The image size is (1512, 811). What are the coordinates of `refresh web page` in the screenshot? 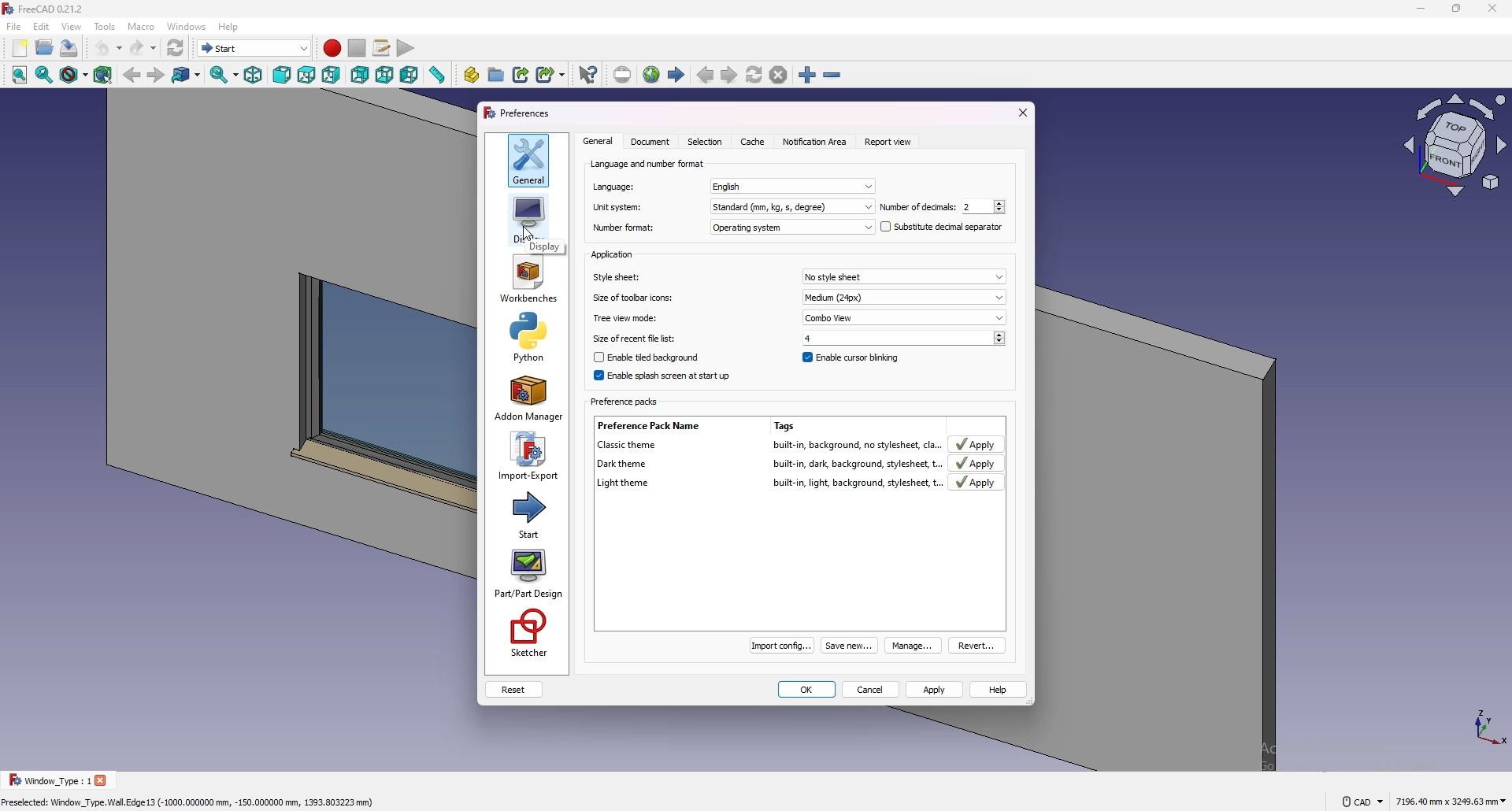 It's located at (755, 75).